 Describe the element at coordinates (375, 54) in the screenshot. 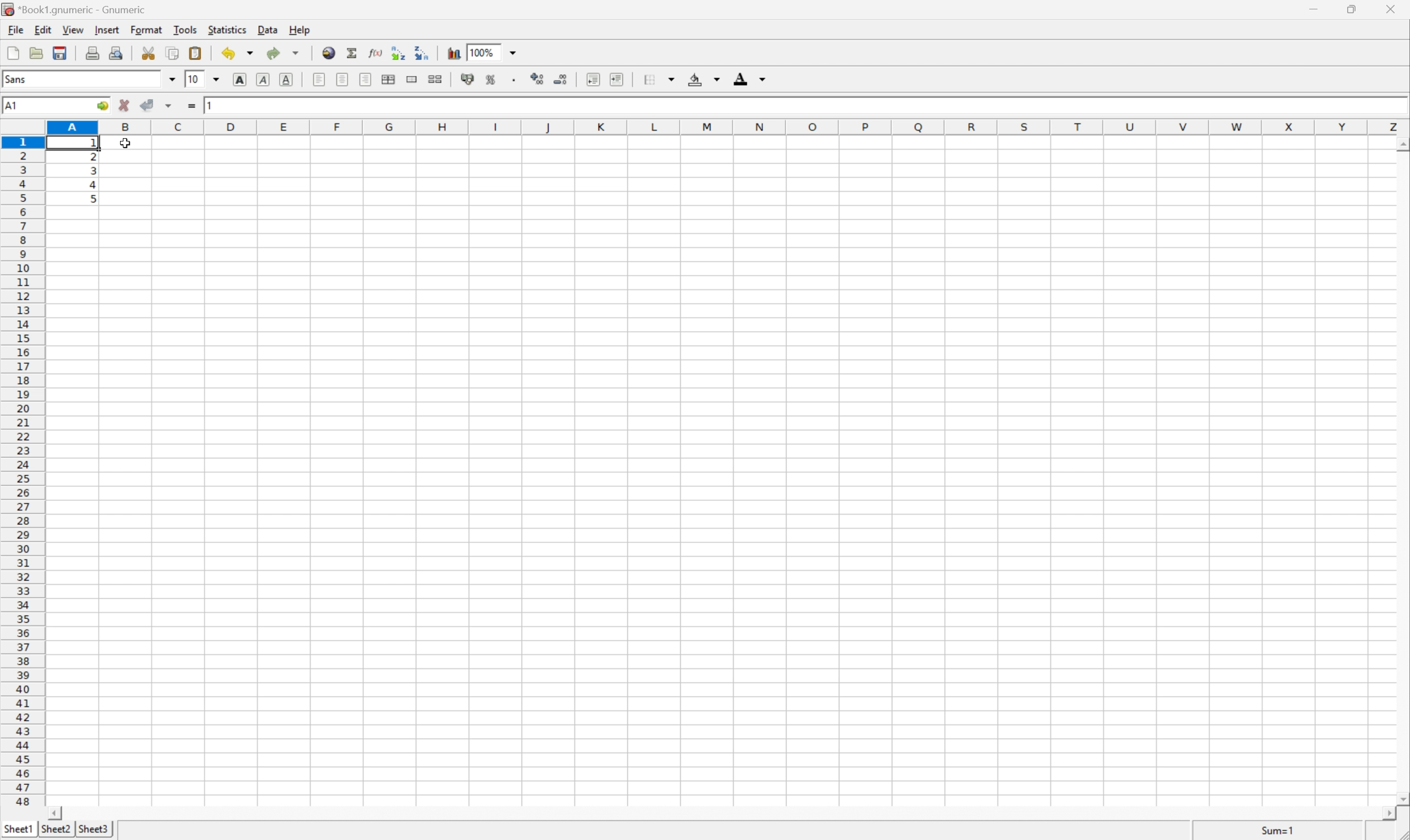

I see `Edit function in current cell` at that location.